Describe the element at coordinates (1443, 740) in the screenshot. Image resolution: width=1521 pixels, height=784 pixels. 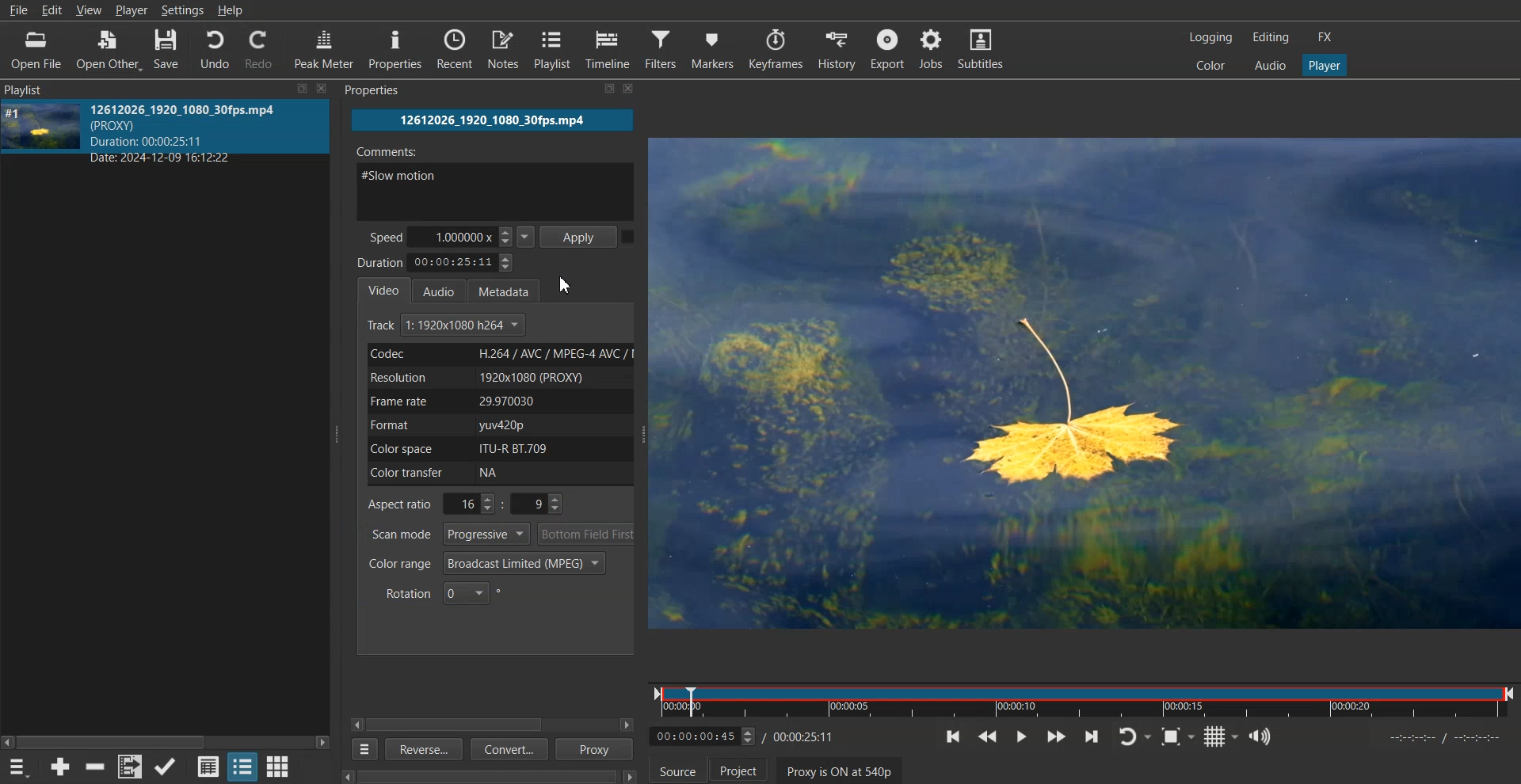
I see `timeline` at that location.